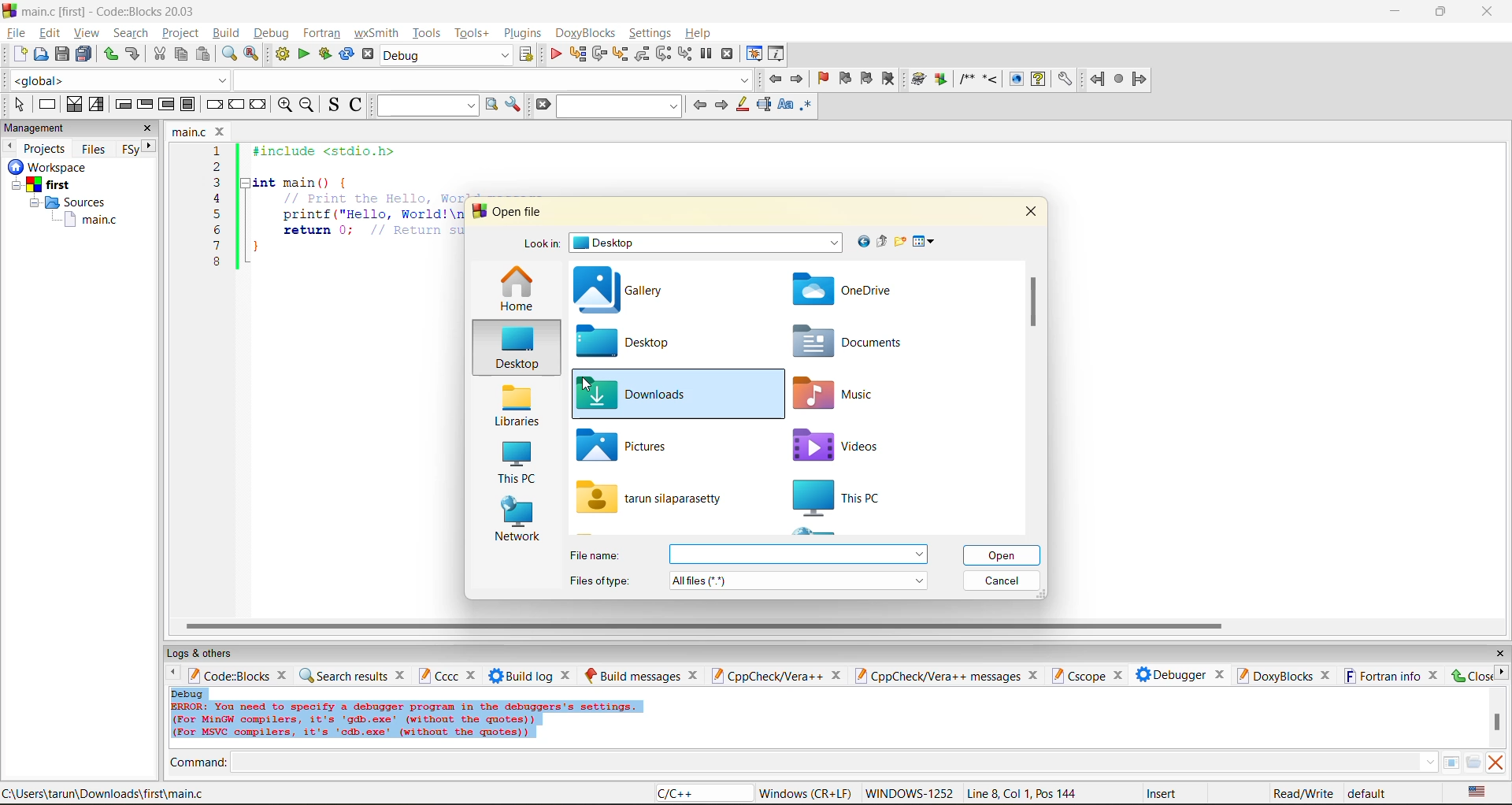 The image size is (1512, 805). What do you see at coordinates (37, 129) in the screenshot?
I see `management` at bounding box center [37, 129].